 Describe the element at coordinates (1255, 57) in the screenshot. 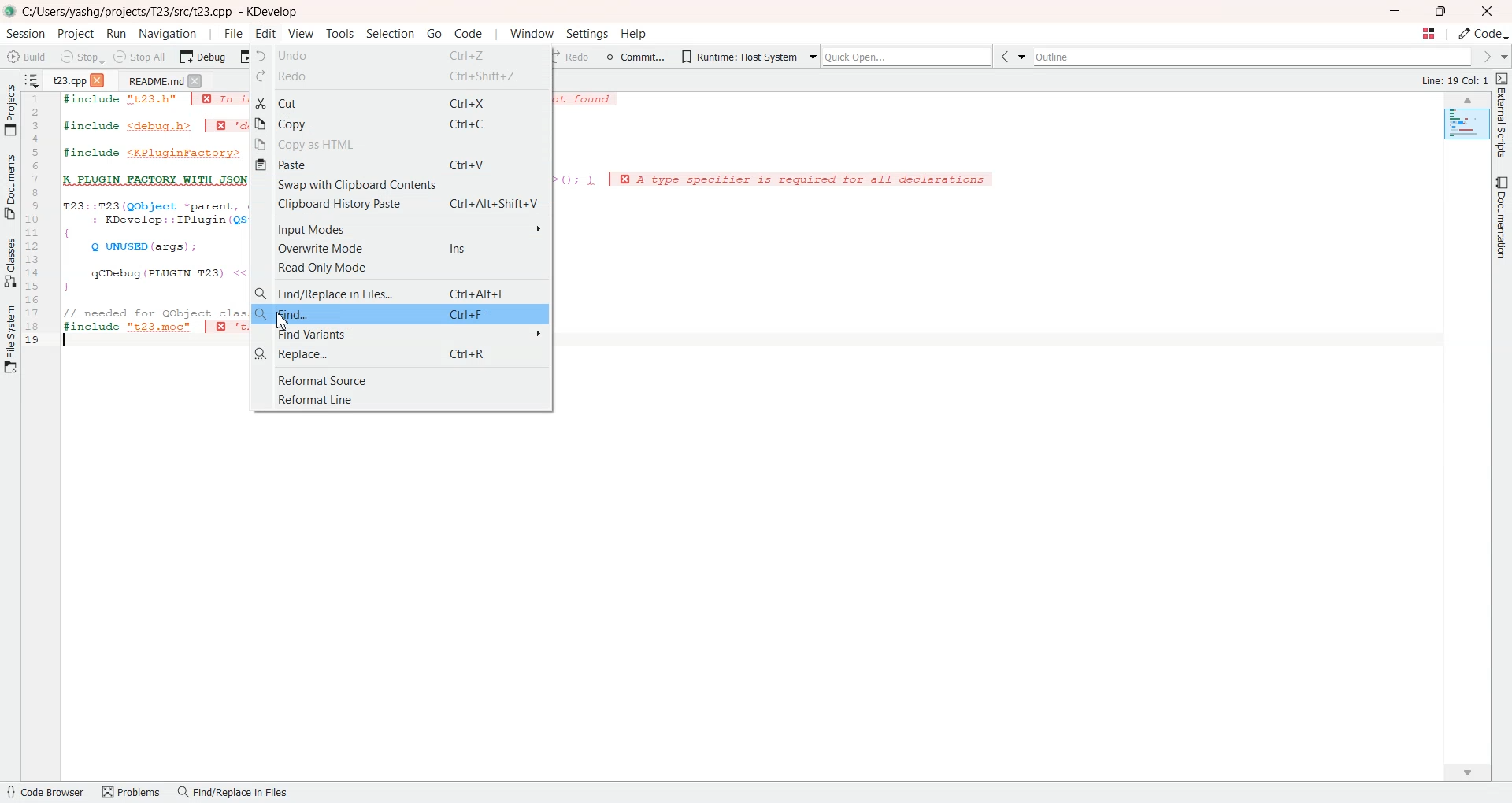

I see `Outline` at that location.